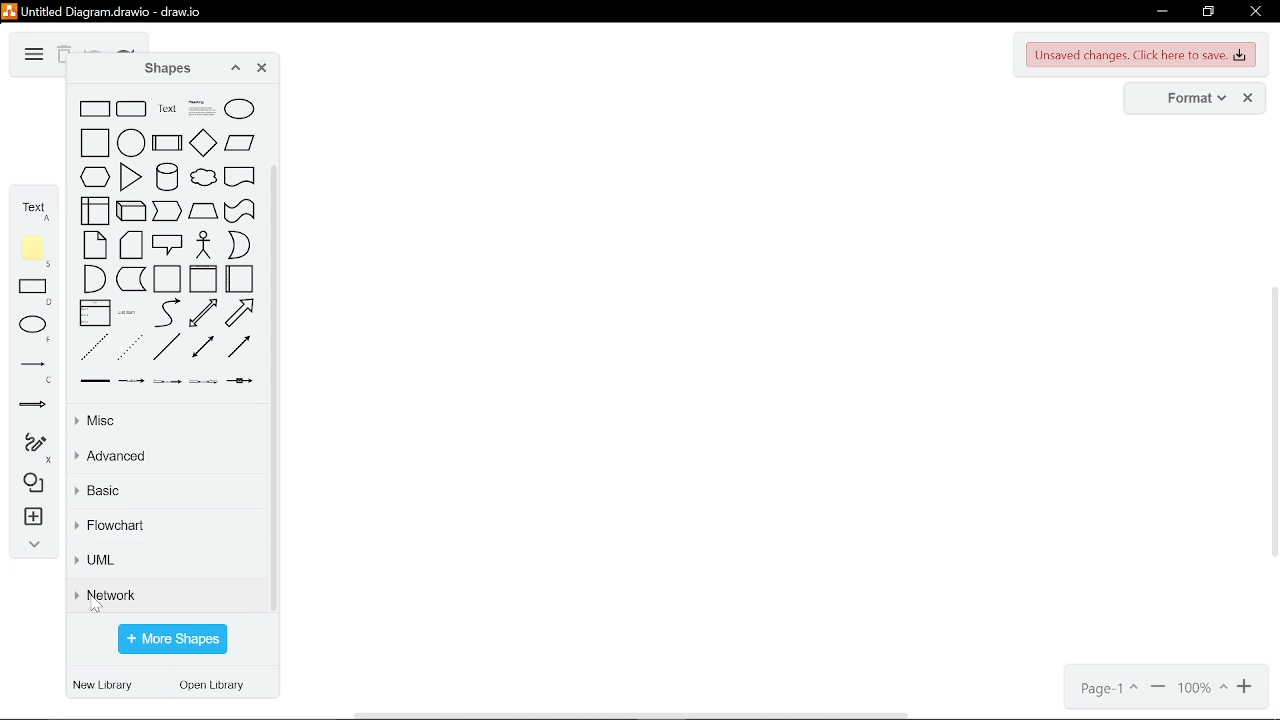  What do you see at coordinates (30, 484) in the screenshot?
I see `shapes` at bounding box center [30, 484].